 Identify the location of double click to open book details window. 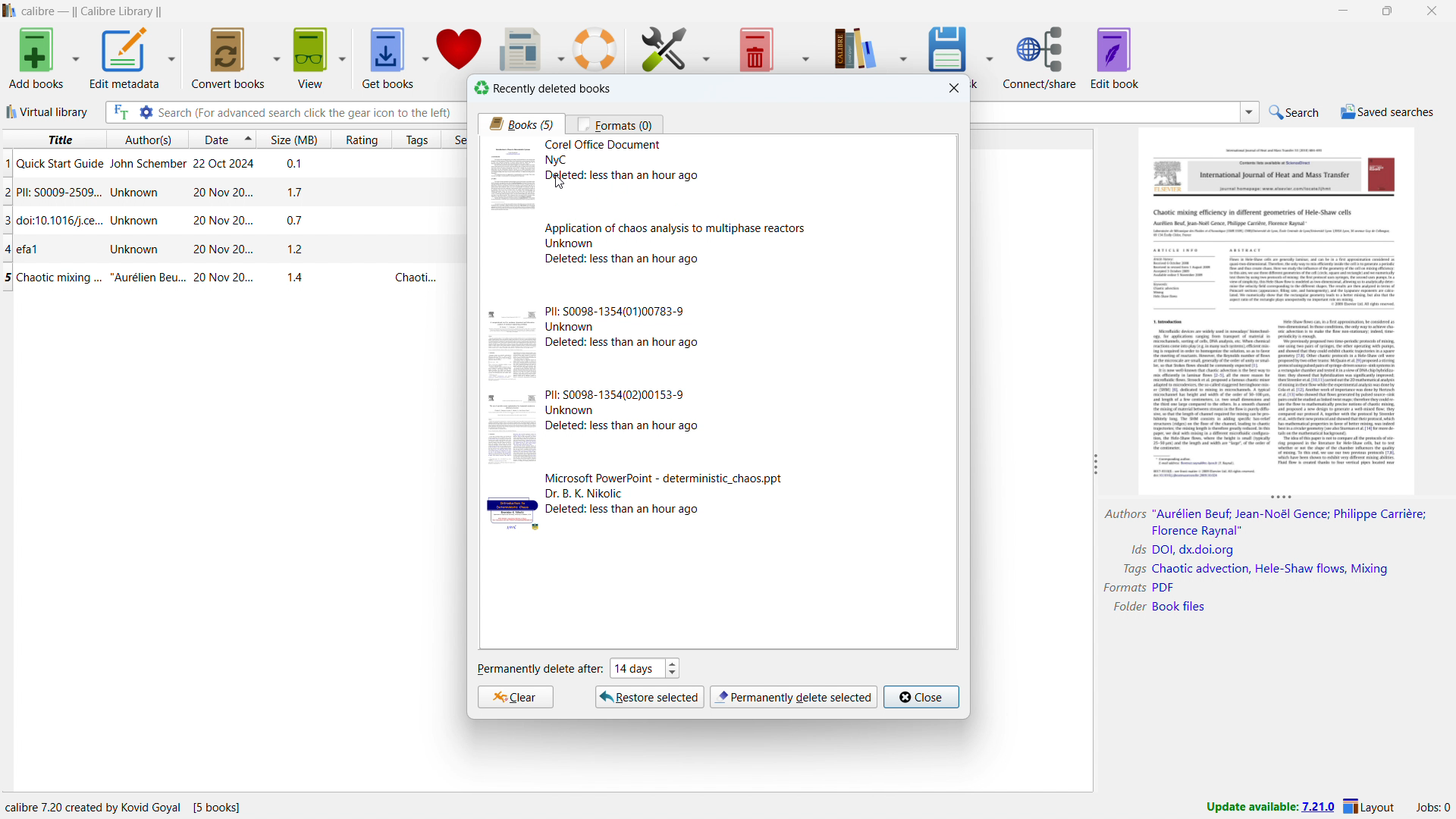
(1279, 309).